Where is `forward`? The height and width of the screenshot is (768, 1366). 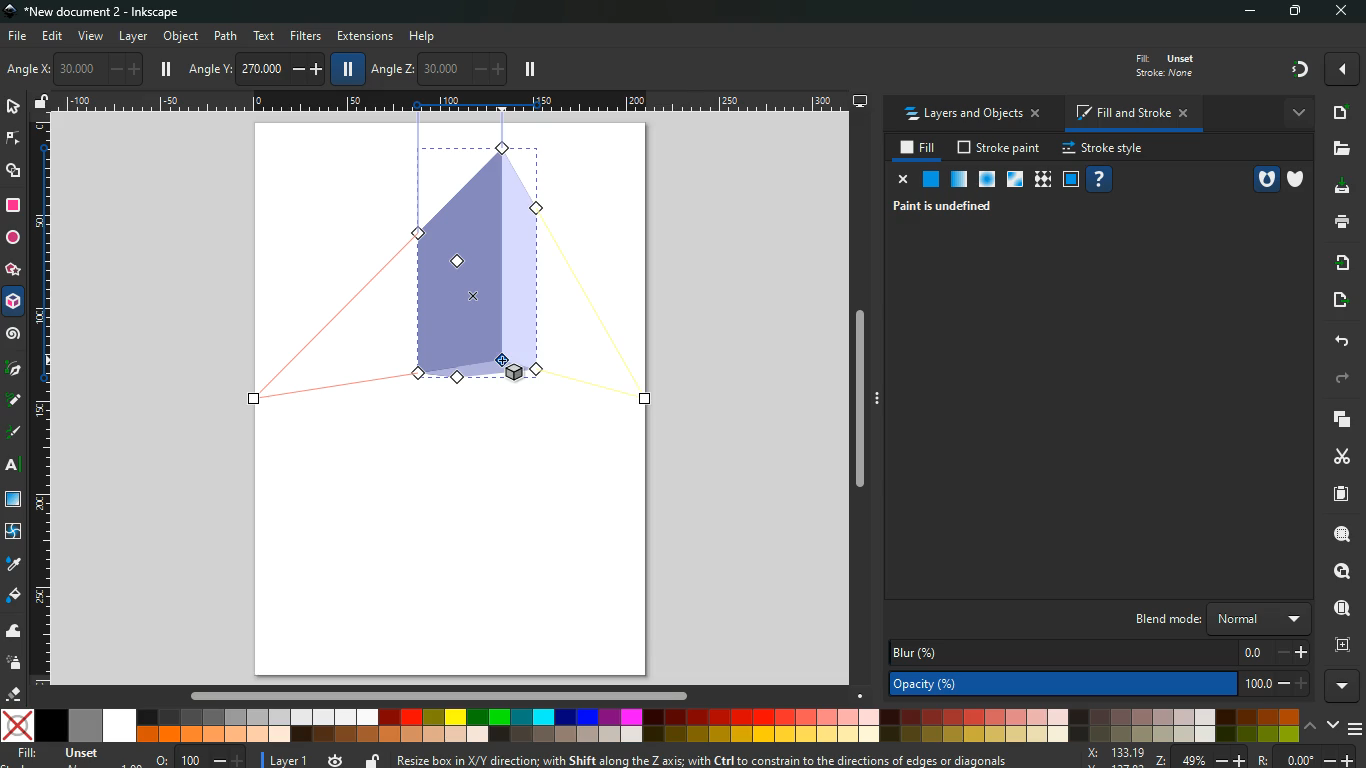 forward is located at coordinates (1341, 380).